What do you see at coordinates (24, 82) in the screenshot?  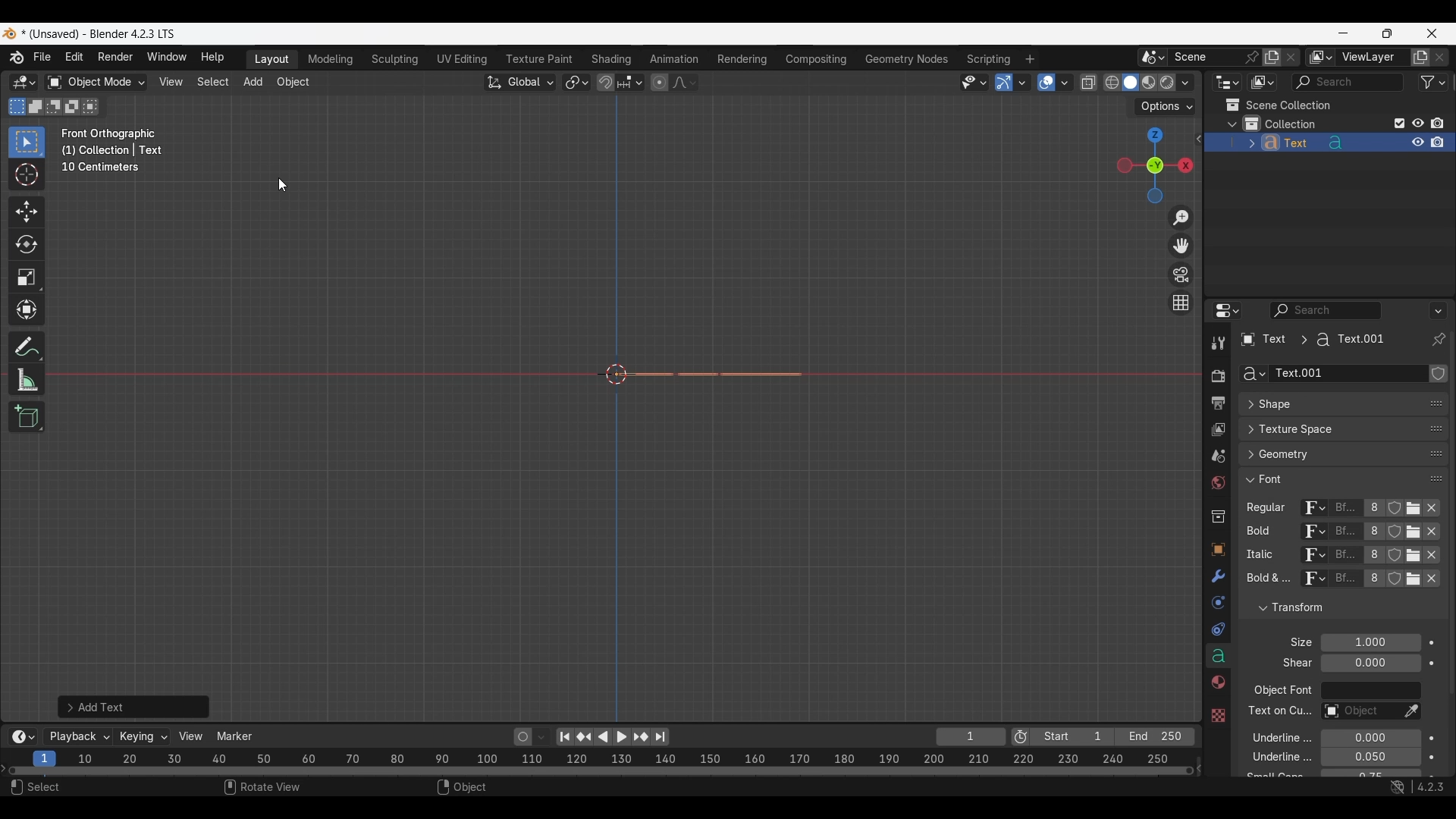 I see `Select editor type/3D Viewport, current selection` at bounding box center [24, 82].